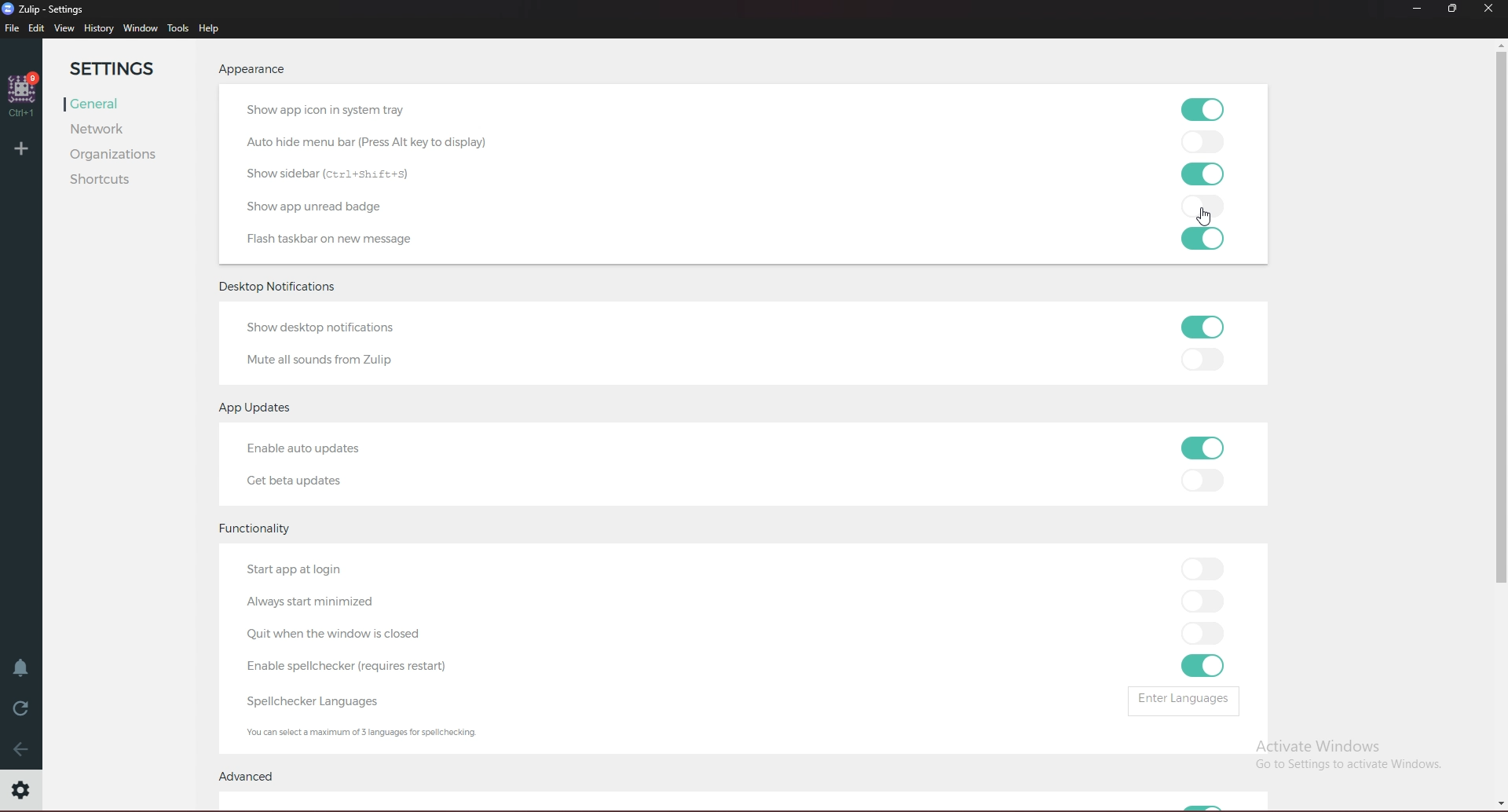 The width and height of the screenshot is (1508, 812). I want to click on Always start minimized, so click(346, 602).